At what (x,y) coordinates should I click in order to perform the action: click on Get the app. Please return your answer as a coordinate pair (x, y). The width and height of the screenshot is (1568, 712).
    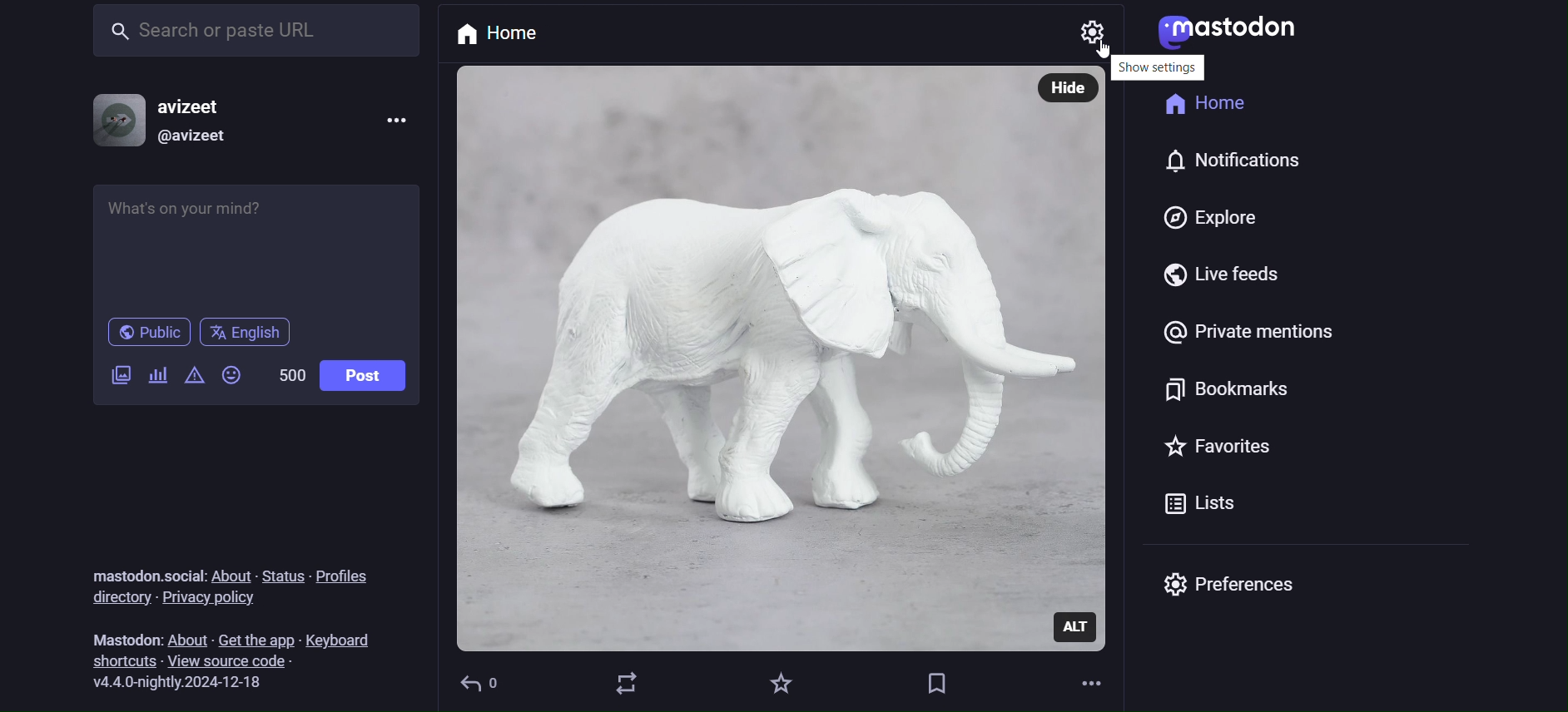
    Looking at the image, I should click on (257, 636).